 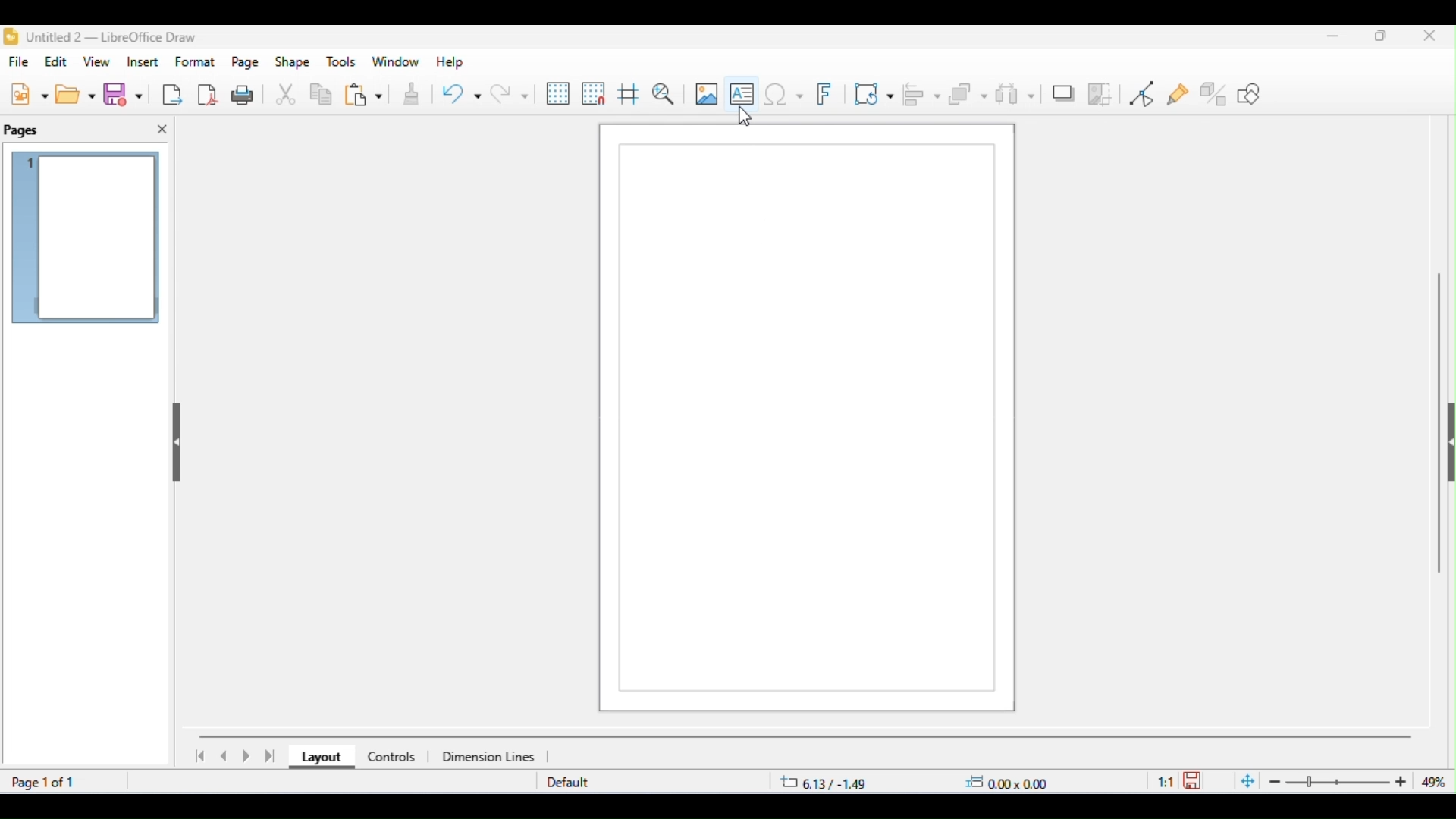 I want to click on scaling factor, so click(x=1166, y=780).